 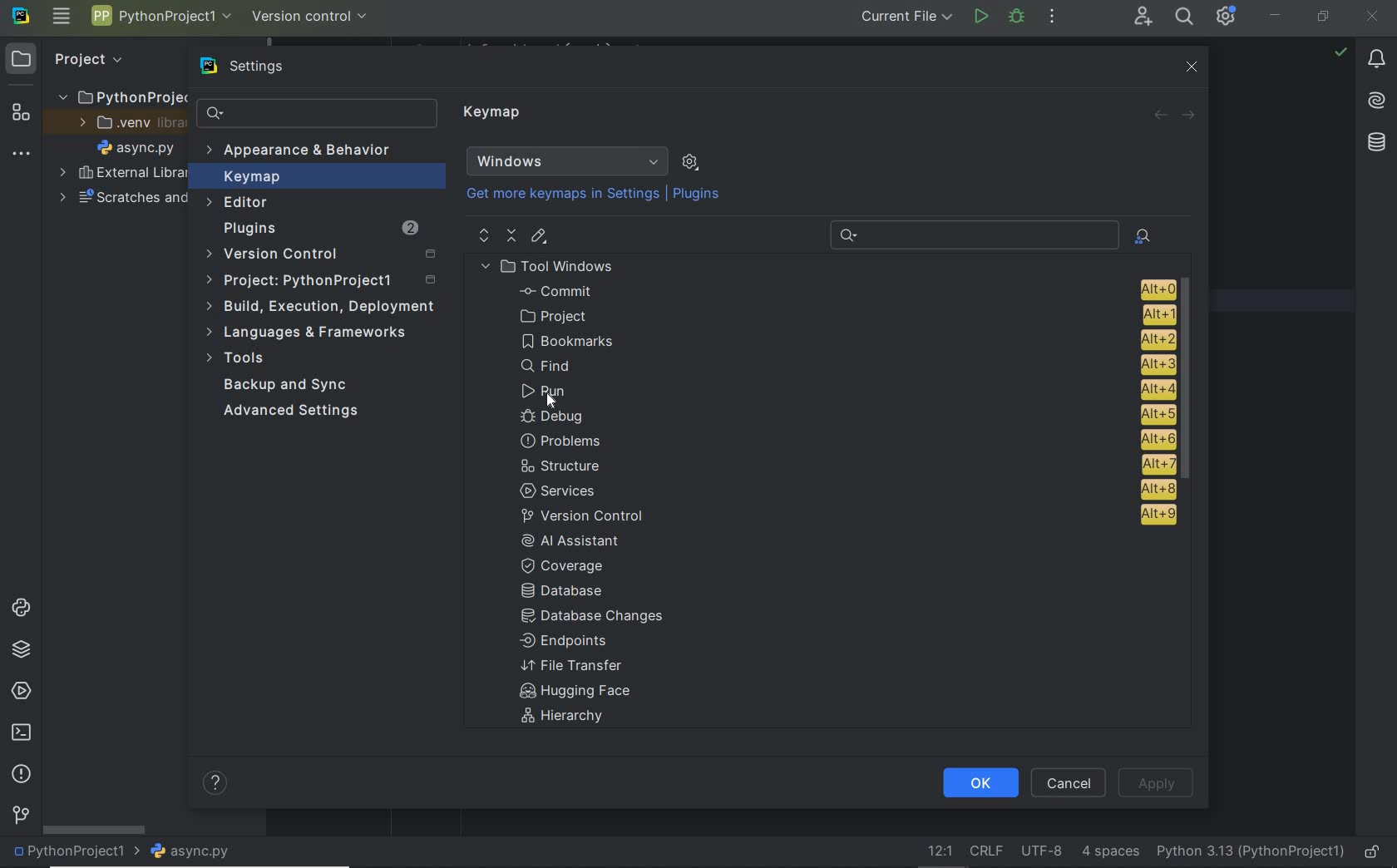 What do you see at coordinates (301, 151) in the screenshot?
I see `Appearance & Behavior` at bounding box center [301, 151].